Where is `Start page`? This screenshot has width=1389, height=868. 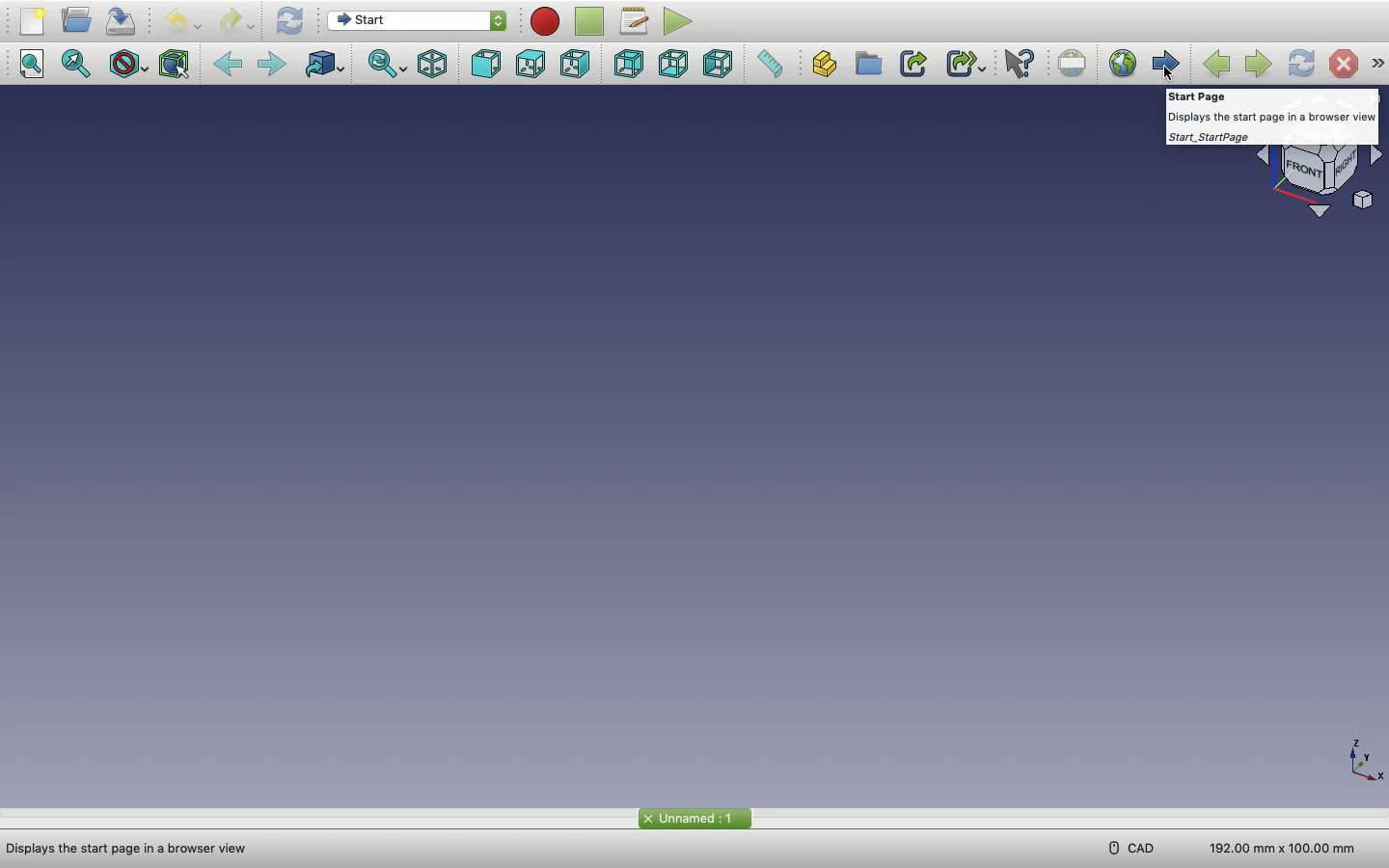 Start page is located at coordinates (694, 818).